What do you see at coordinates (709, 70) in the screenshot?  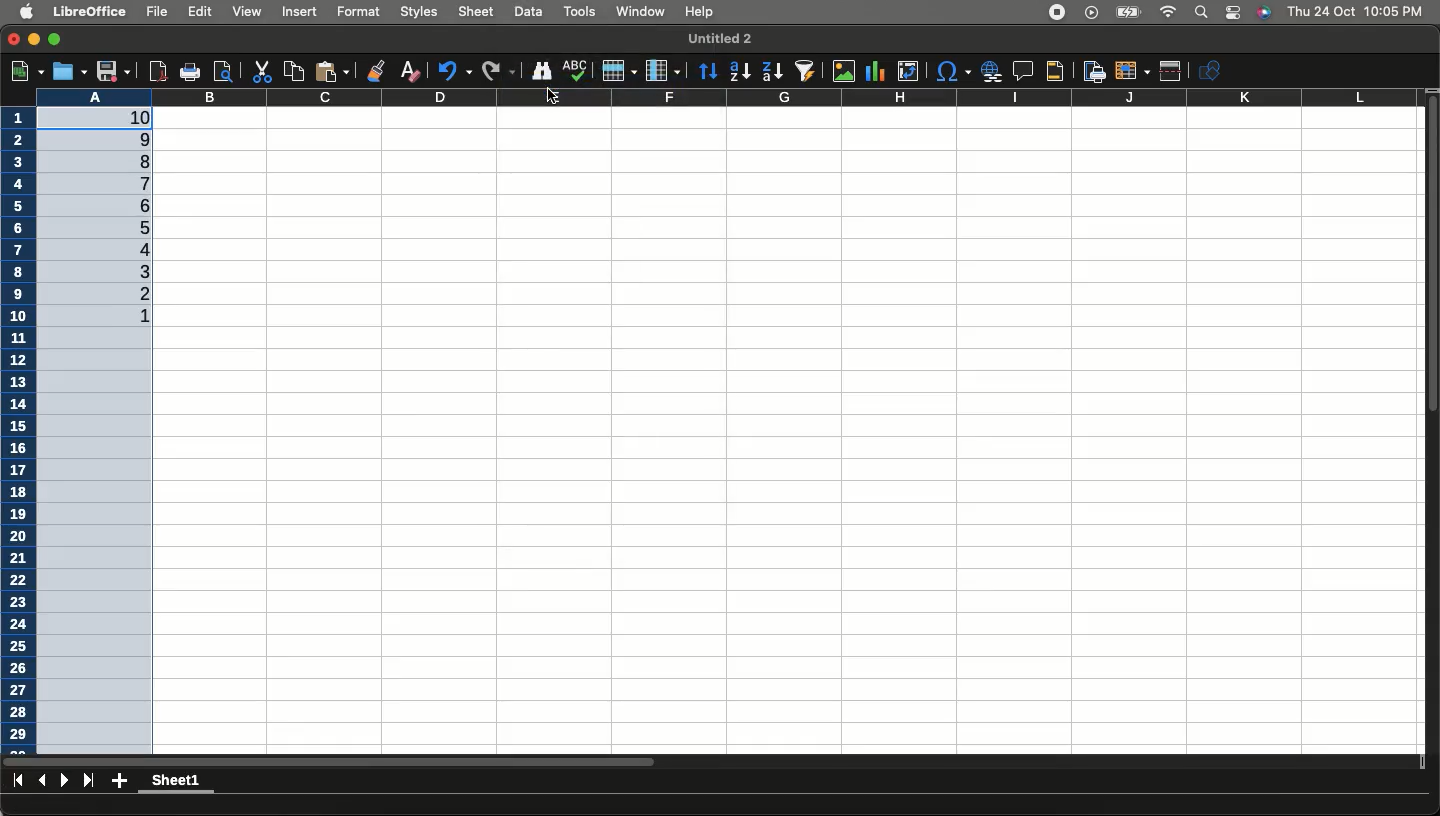 I see `Sort` at bounding box center [709, 70].